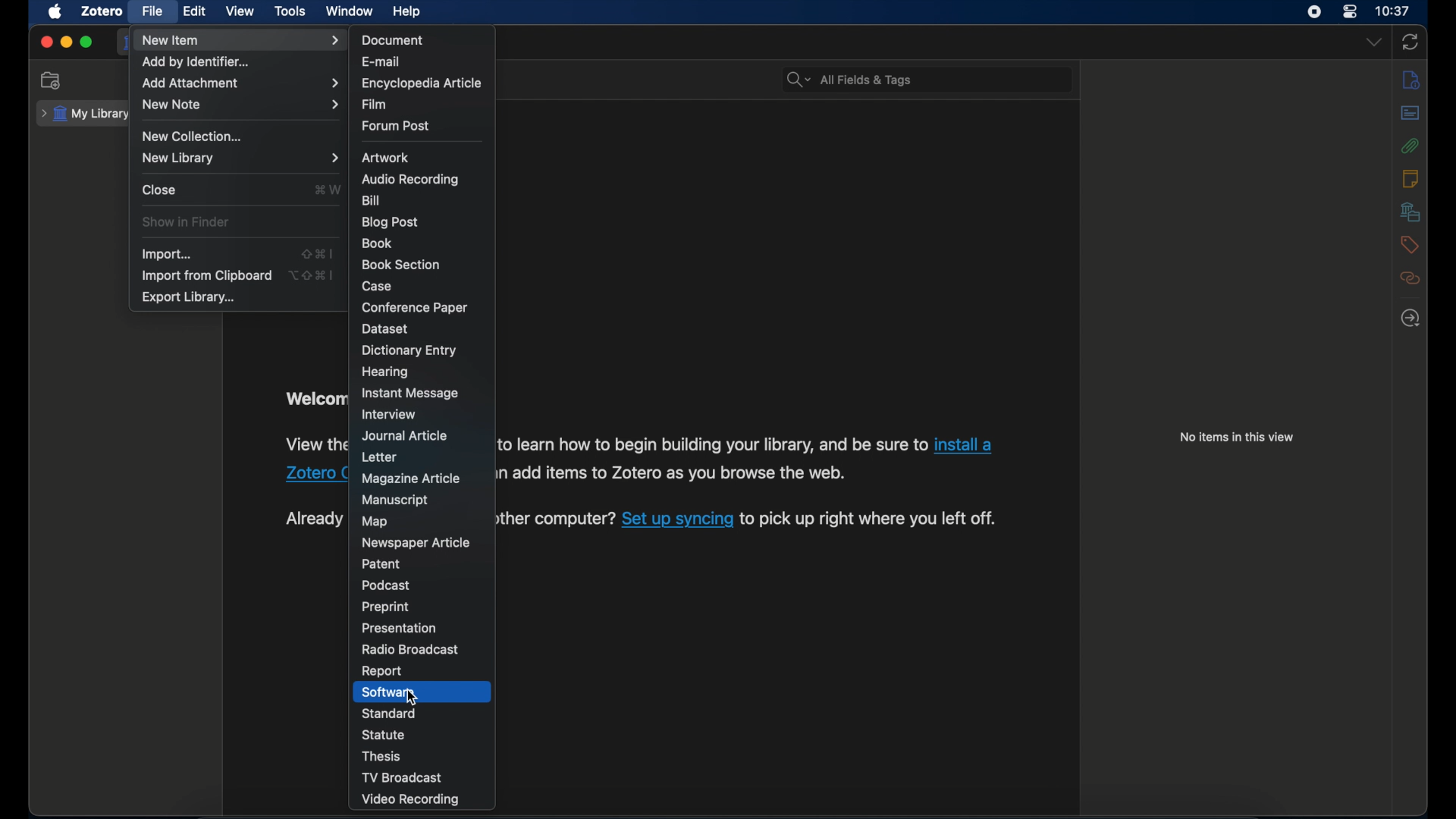 Image resolution: width=1456 pixels, height=819 pixels. What do you see at coordinates (392, 714) in the screenshot?
I see `standard` at bounding box center [392, 714].